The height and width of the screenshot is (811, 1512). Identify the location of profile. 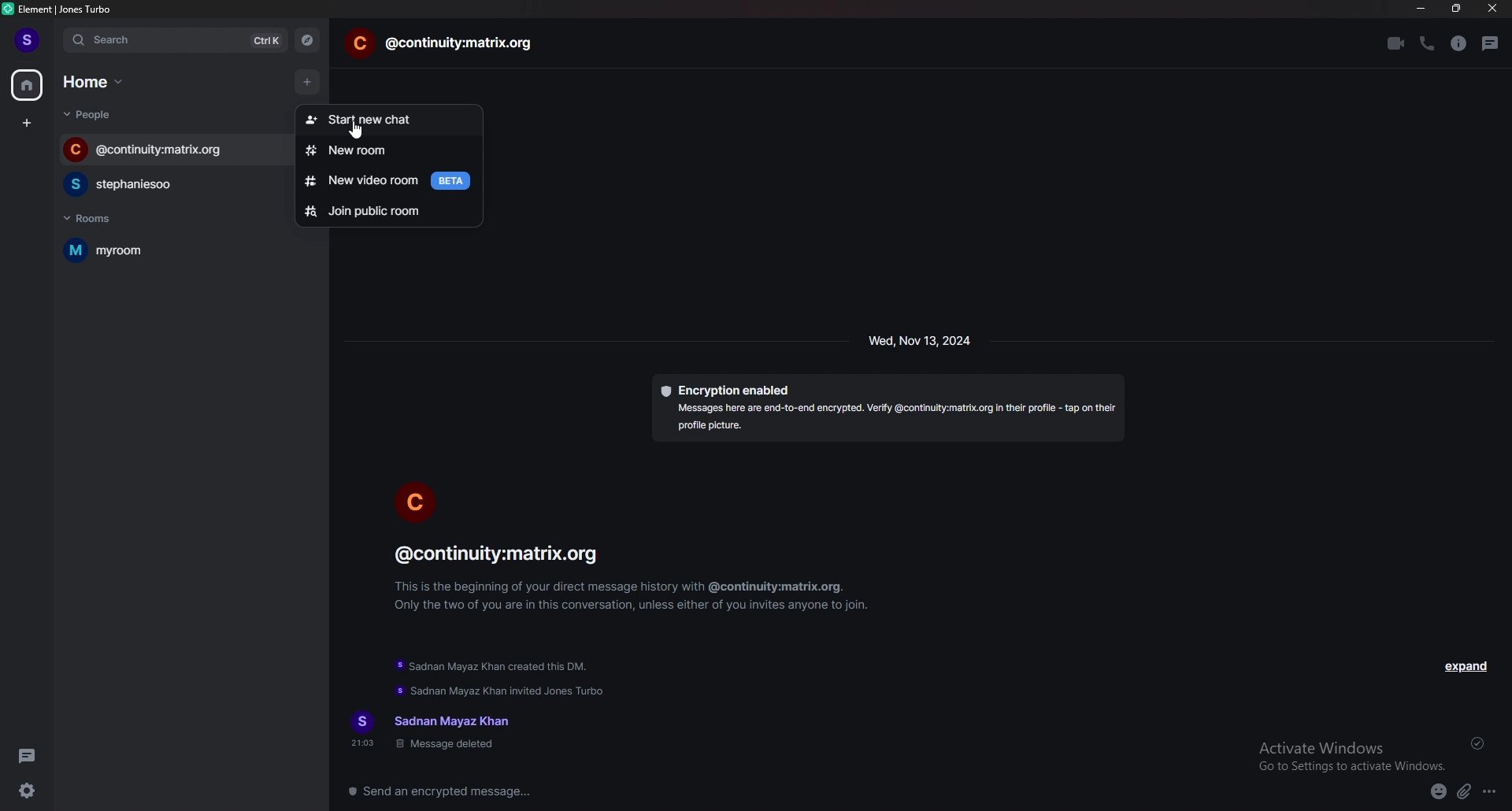
(28, 40).